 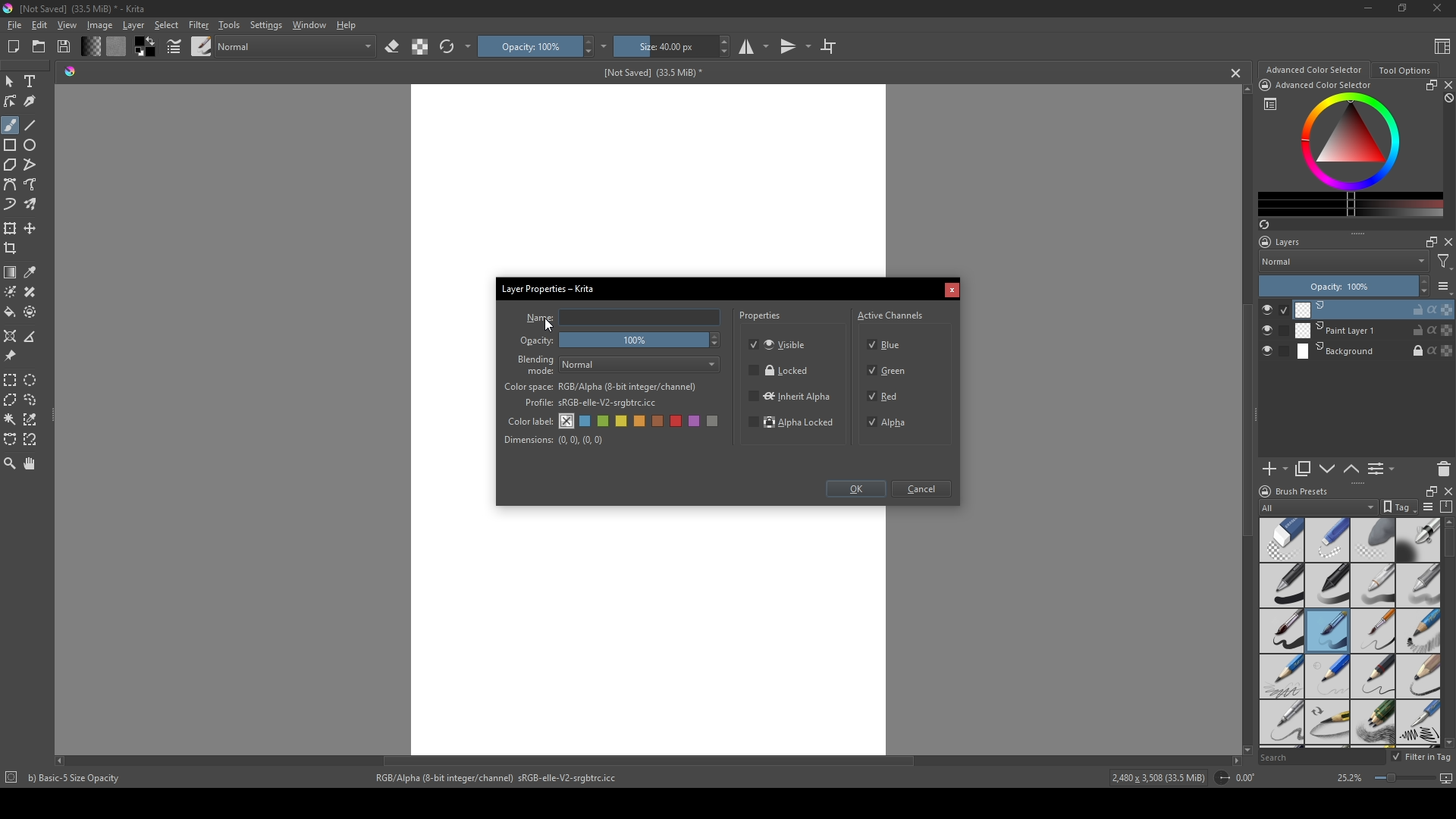 I want to click on thin brush, so click(x=1373, y=632).